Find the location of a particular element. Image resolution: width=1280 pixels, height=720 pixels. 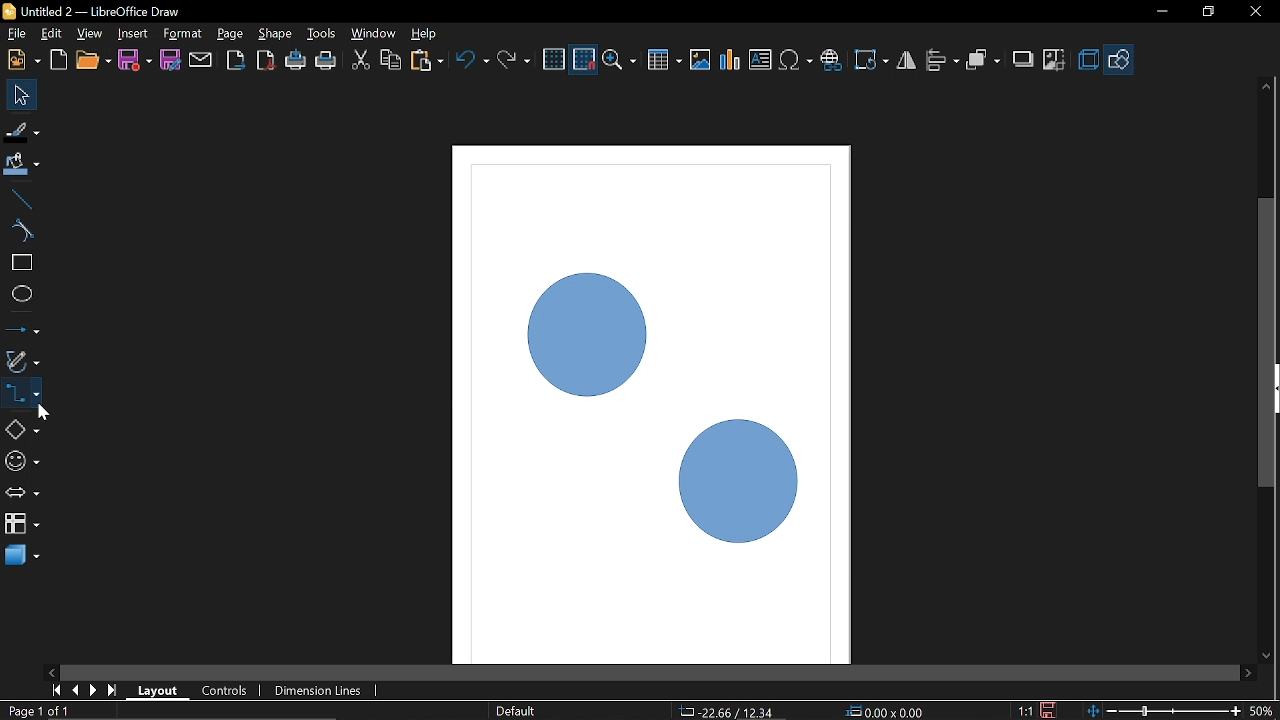

Snap to grid is located at coordinates (585, 60).